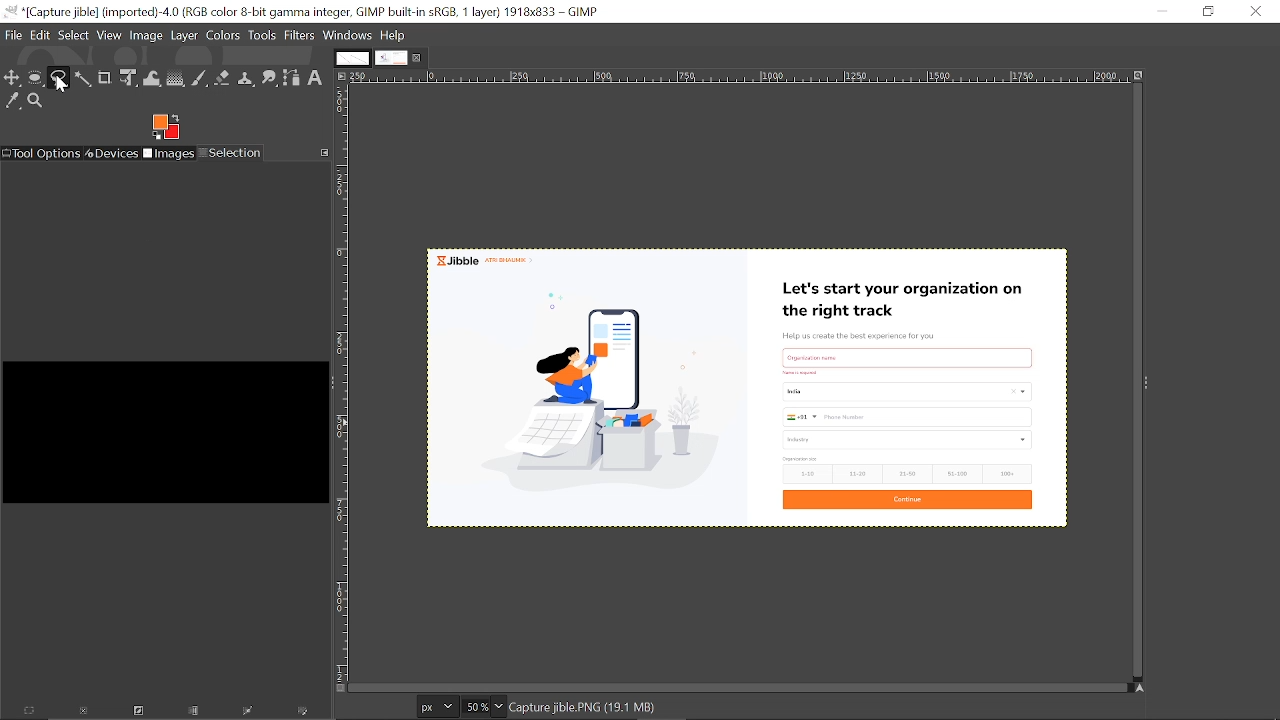 Image resolution: width=1280 pixels, height=720 pixels. I want to click on Current image, so click(750, 392).